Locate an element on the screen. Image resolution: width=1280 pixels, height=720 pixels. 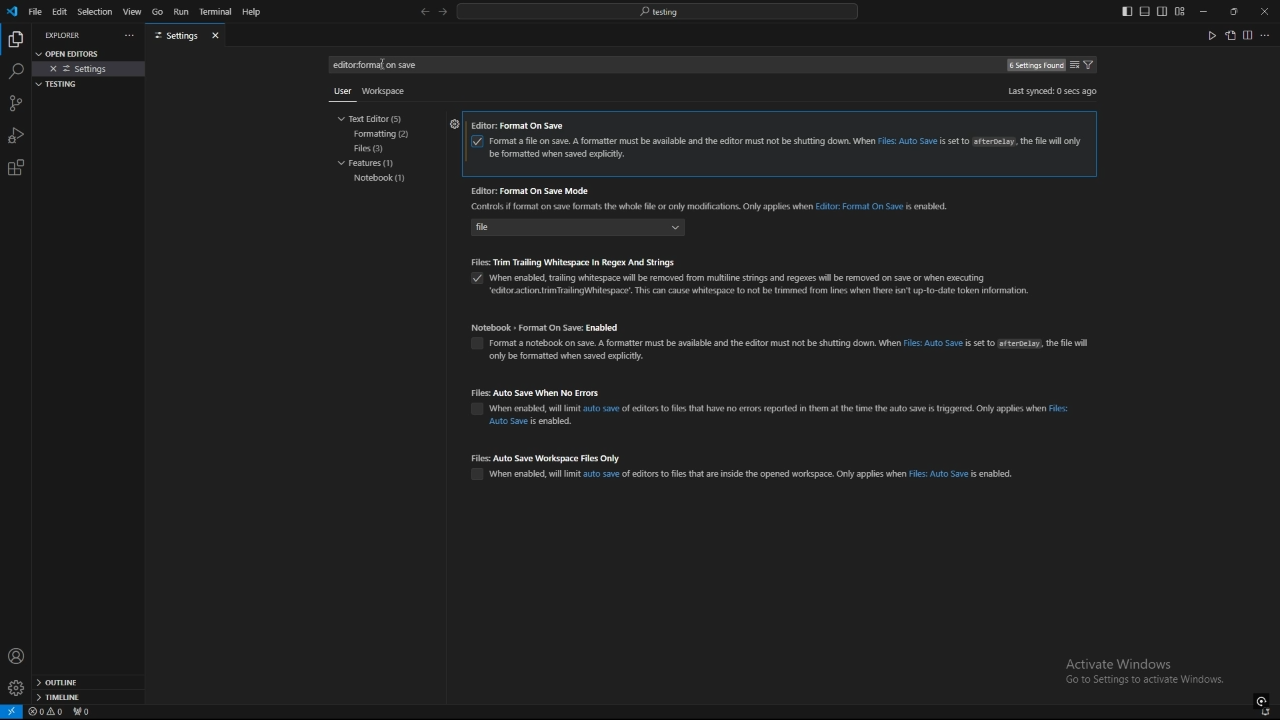
features is located at coordinates (372, 165).